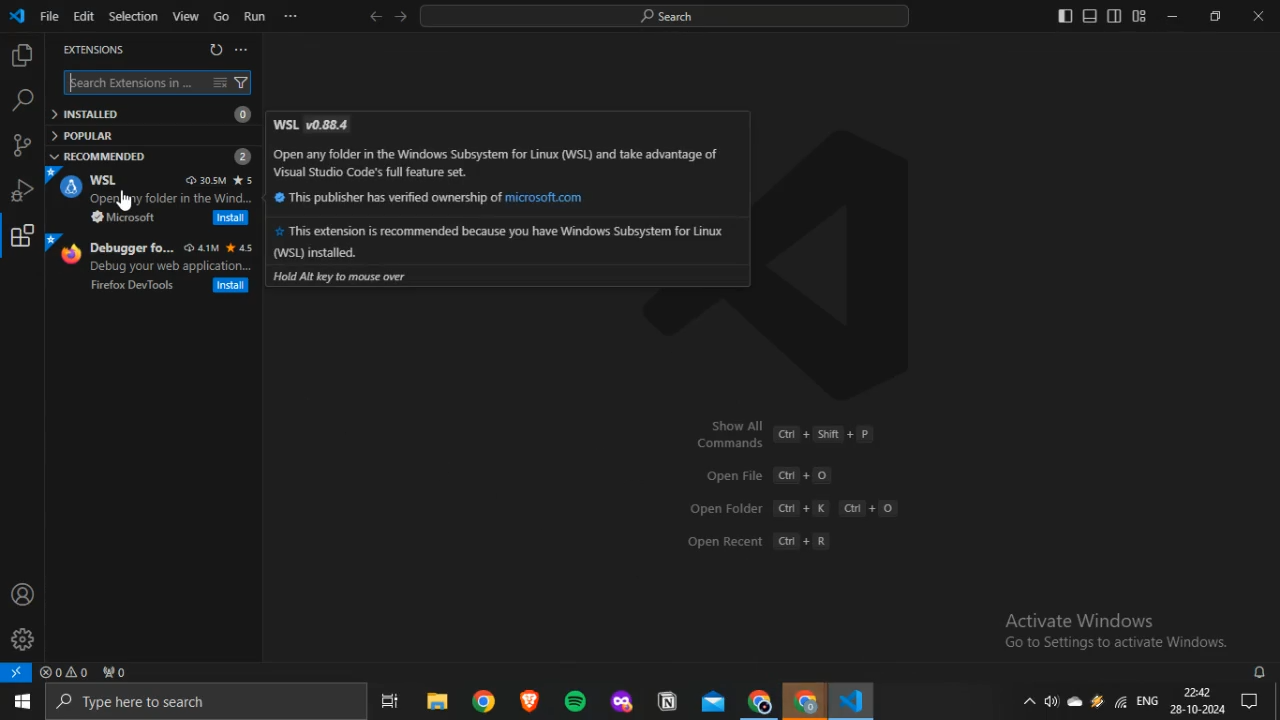 The image size is (1280, 720). Describe the element at coordinates (311, 126) in the screenshot. I see `WSL v0.884` at that location.